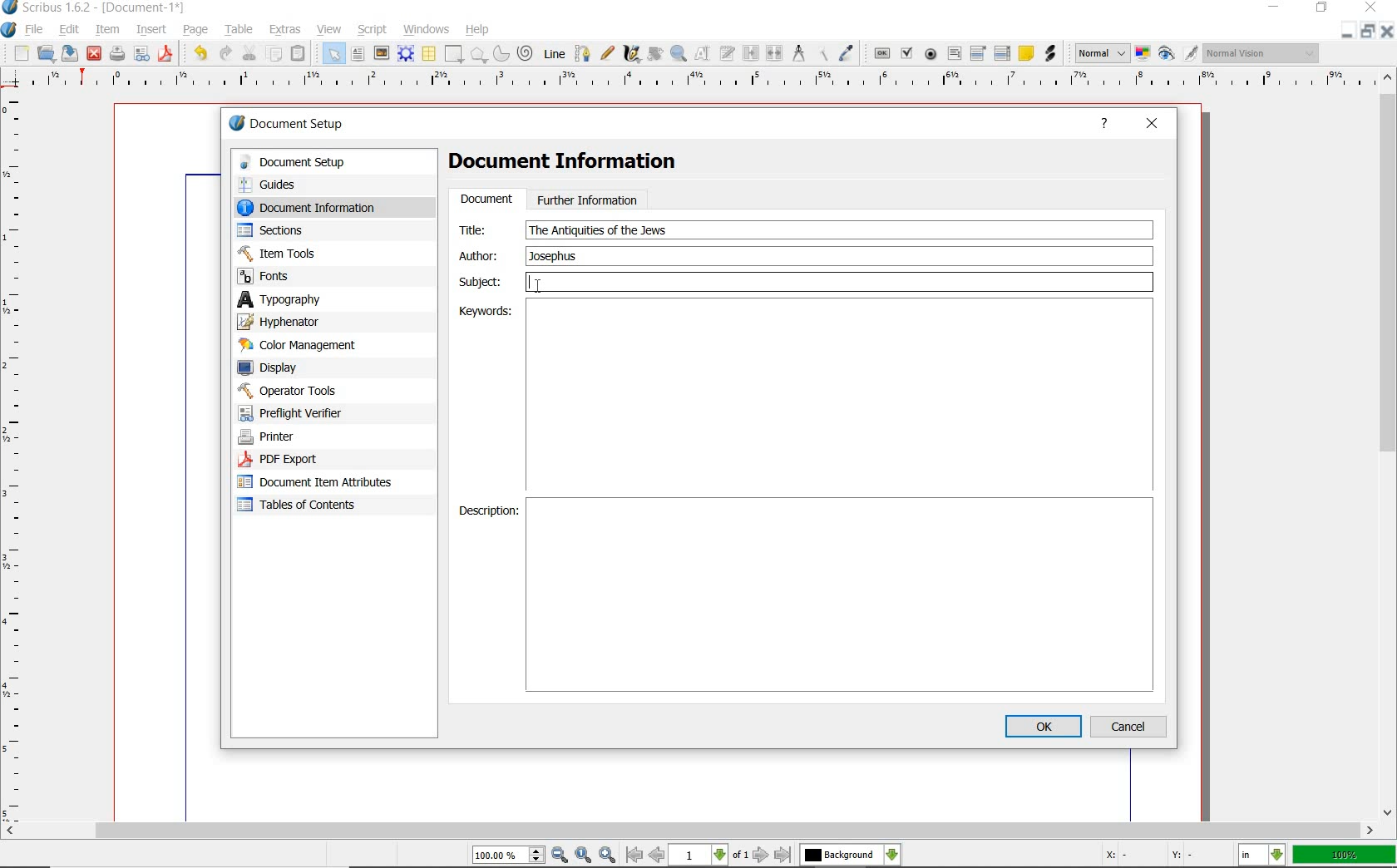  I want to click on measurements, so click(797, 53).